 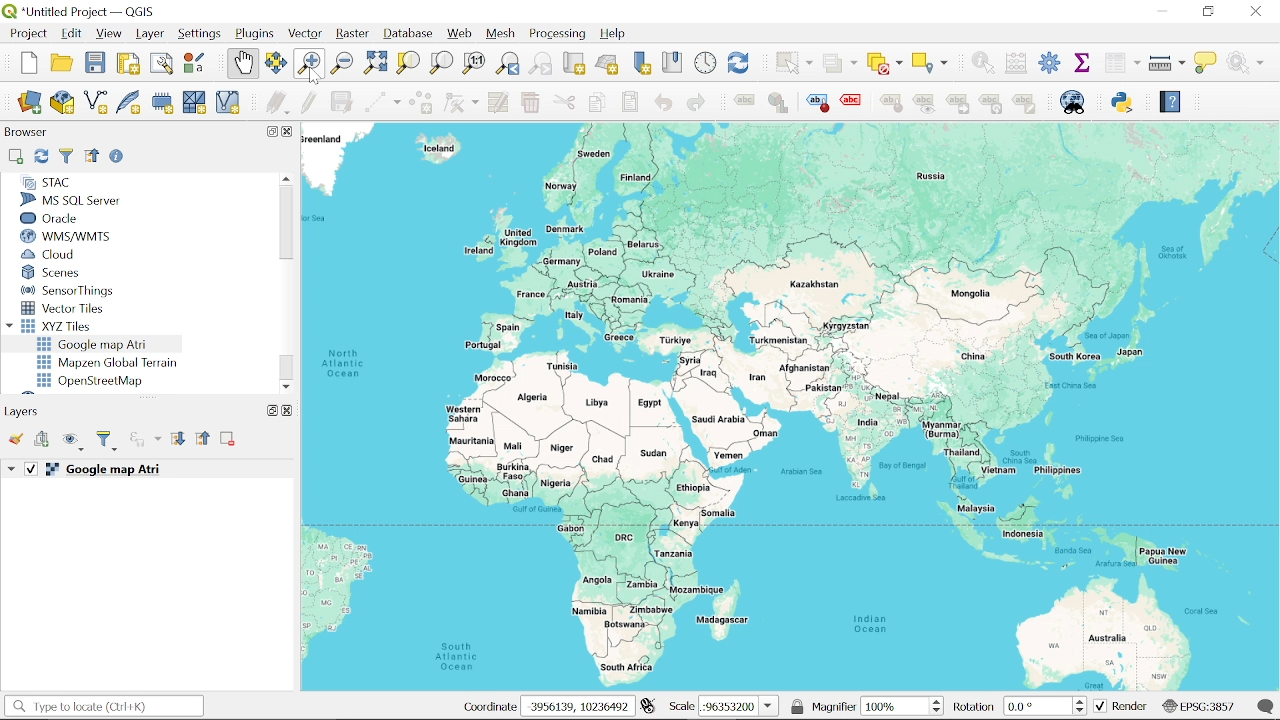 What do you see at coordinates (894, 106) in the screenshot?
I see `Pin/unpin label and diagrams` at bounding box center [894, 106].